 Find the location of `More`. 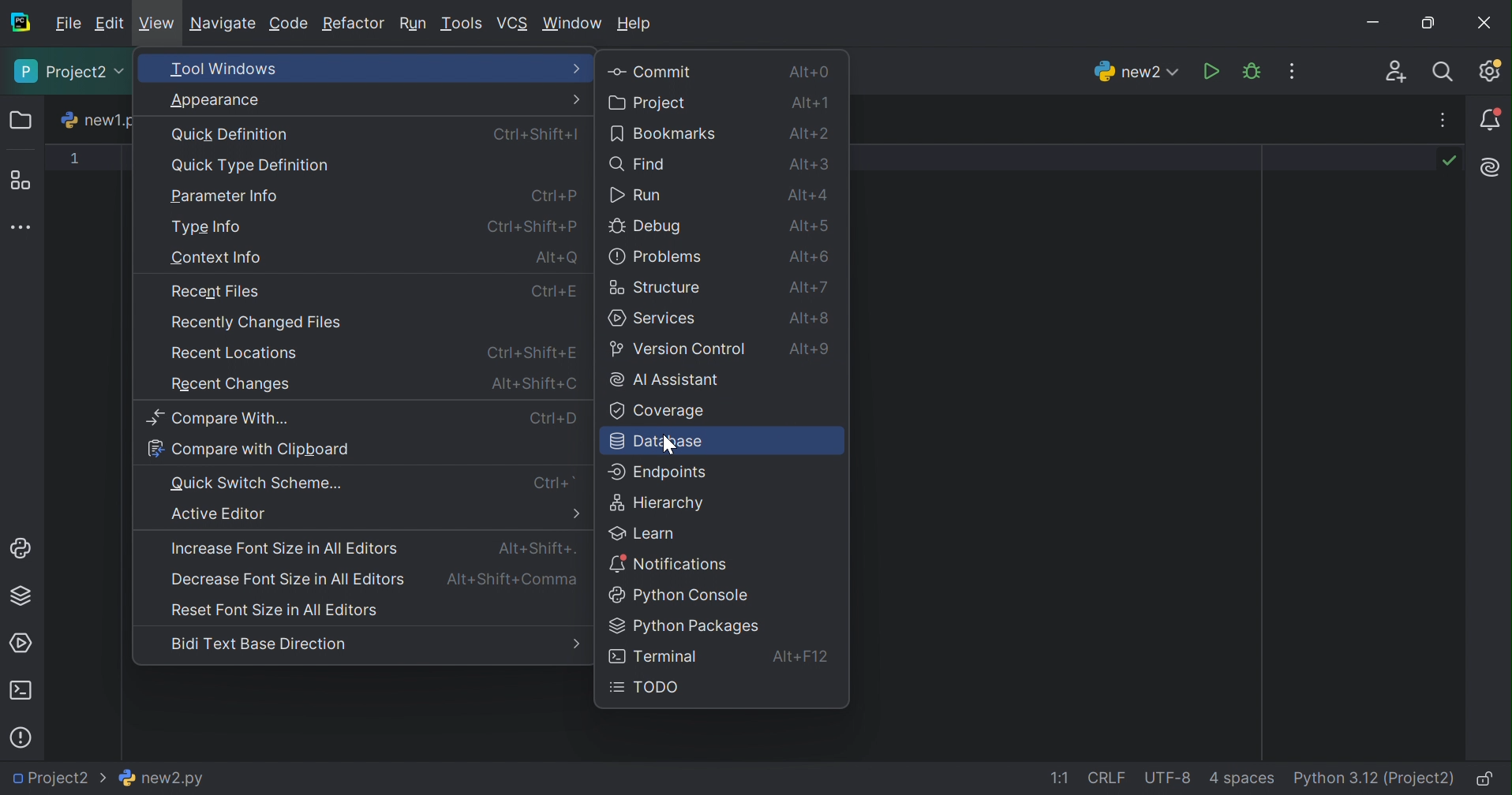

More is located at coordinates (574, 99).